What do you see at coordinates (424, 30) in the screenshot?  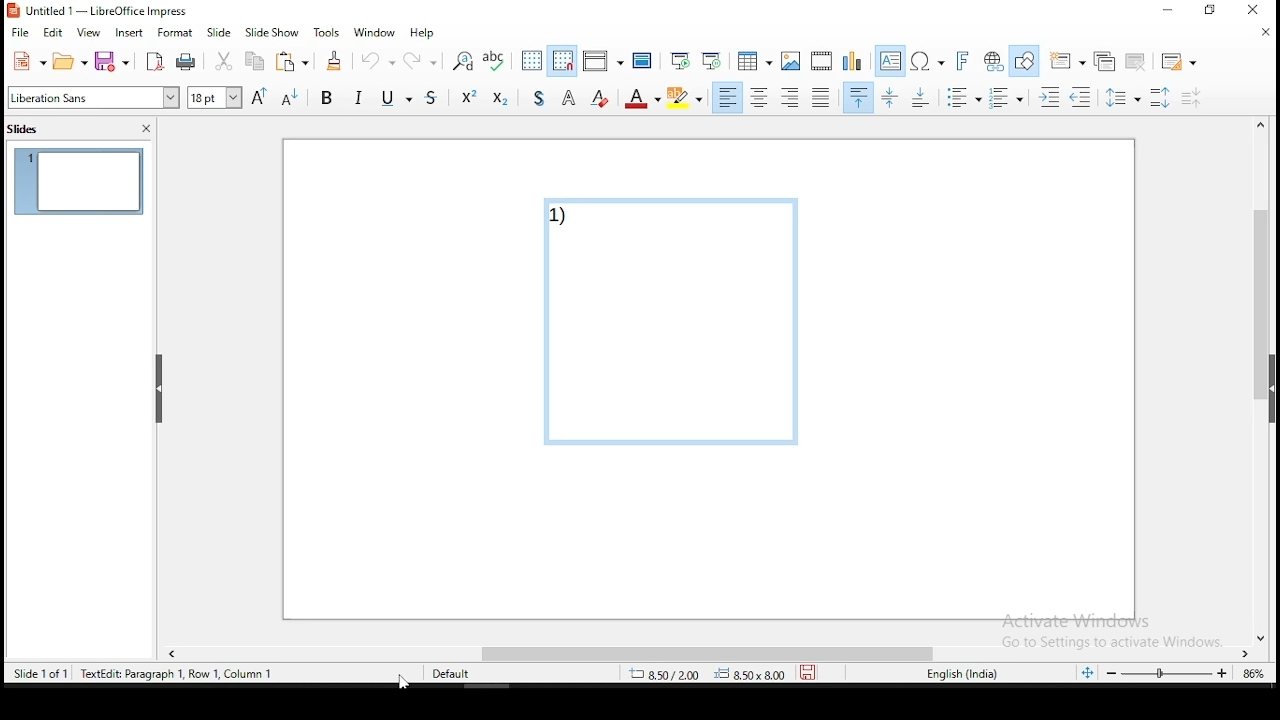 I see `help` at bounding box center [424, 30].